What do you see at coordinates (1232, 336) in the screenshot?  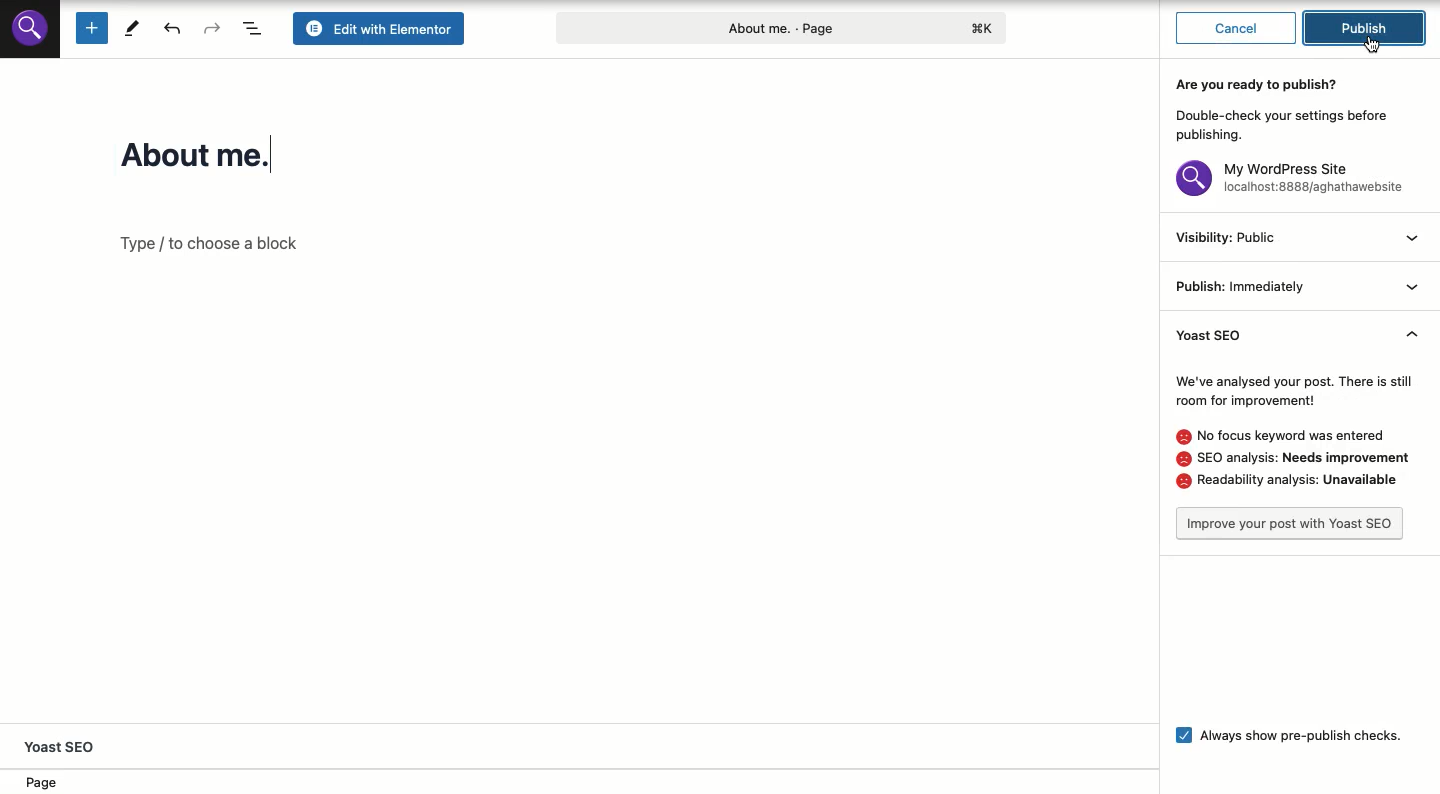 I see `Yoast SEO` at bounding box center [1232, 336].